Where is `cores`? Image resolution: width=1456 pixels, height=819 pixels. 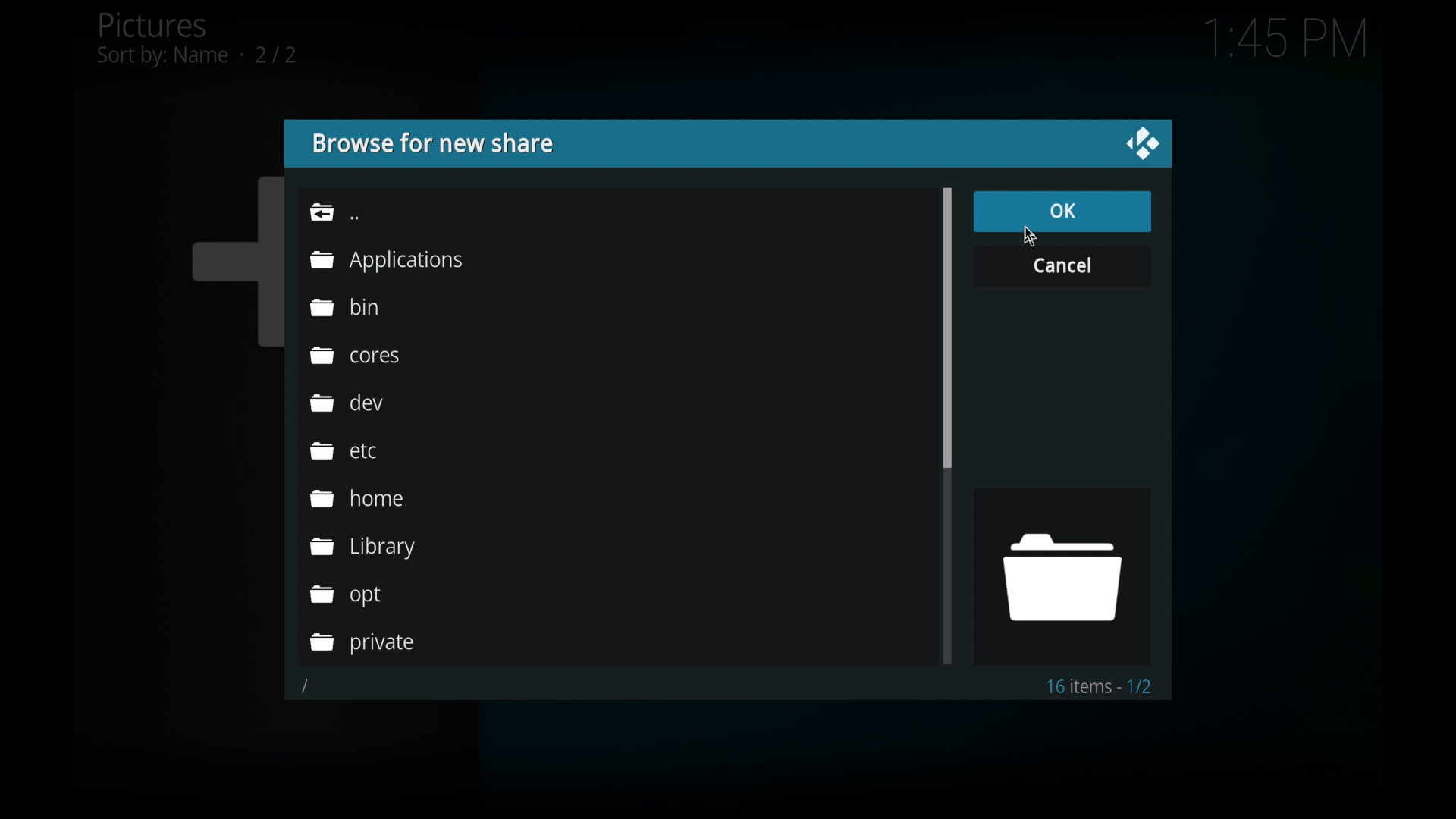
cores is located at coordinates (354, 355).